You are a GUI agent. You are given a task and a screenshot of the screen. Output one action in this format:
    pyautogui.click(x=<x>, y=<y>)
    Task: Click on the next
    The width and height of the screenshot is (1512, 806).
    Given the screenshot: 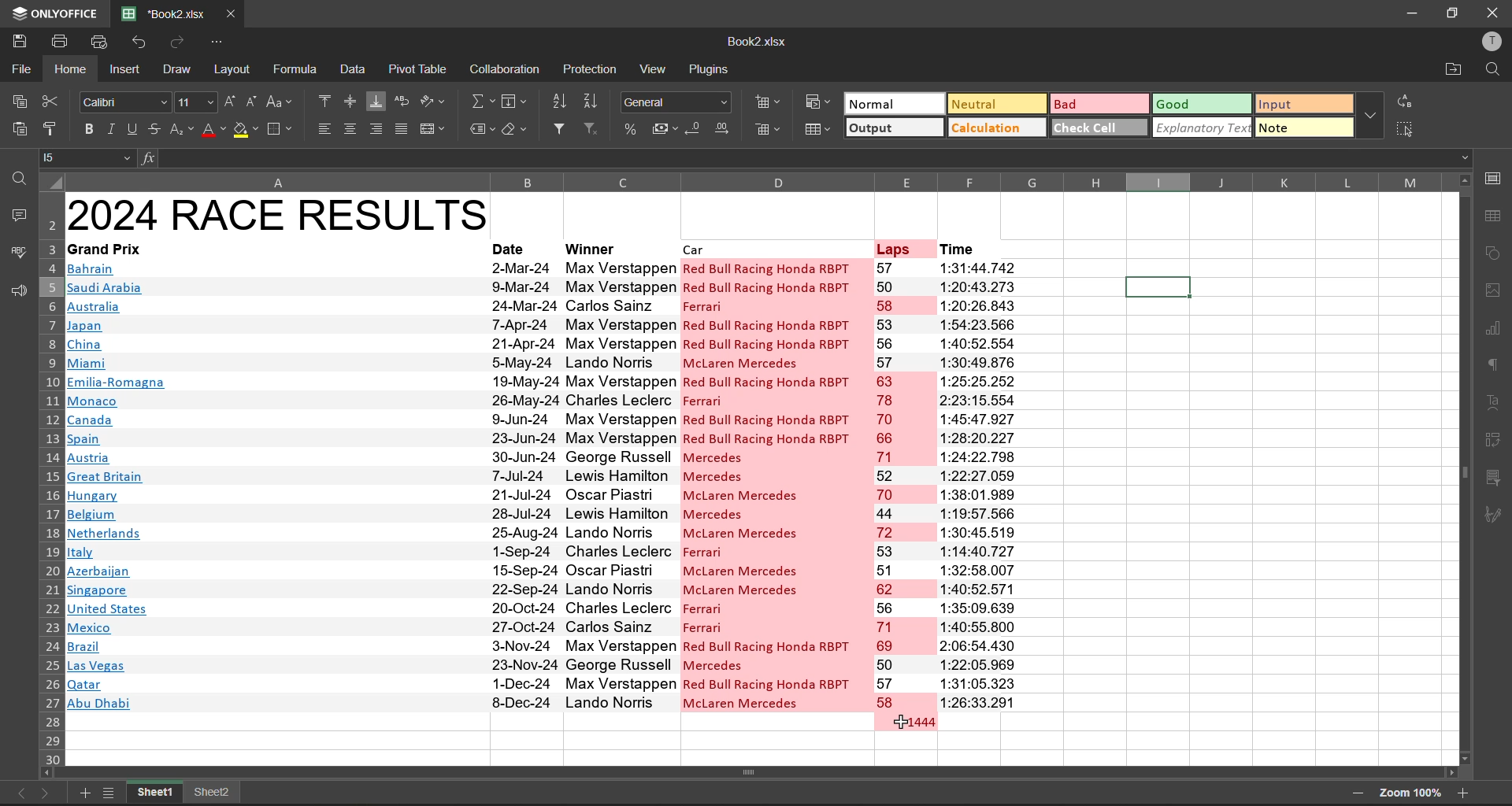 What is the action you would take?
    pyautogui.click(x=47, y=792)
    